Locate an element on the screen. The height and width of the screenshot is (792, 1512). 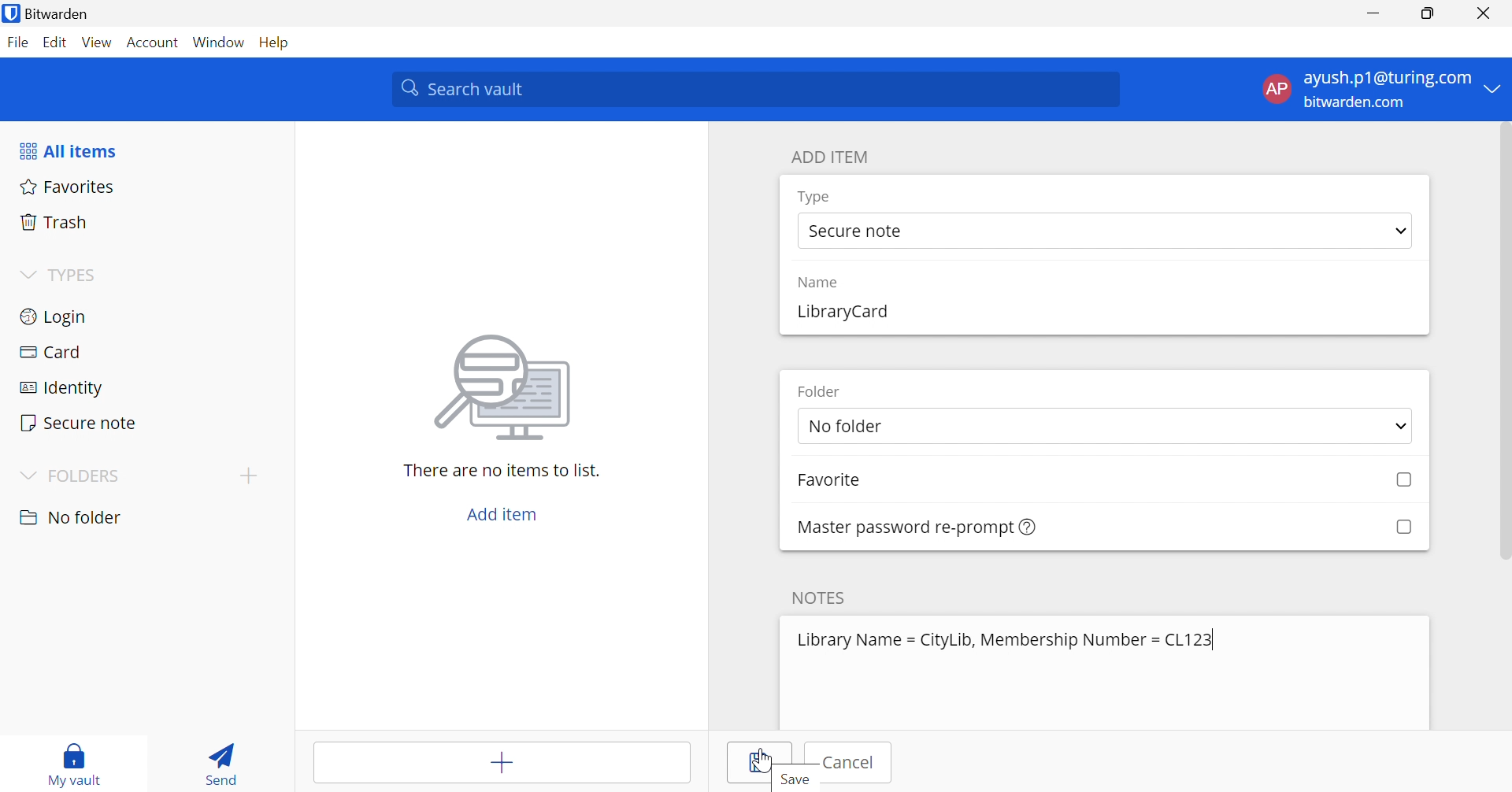
nO FOLDER is located at coordinates (74, 517).